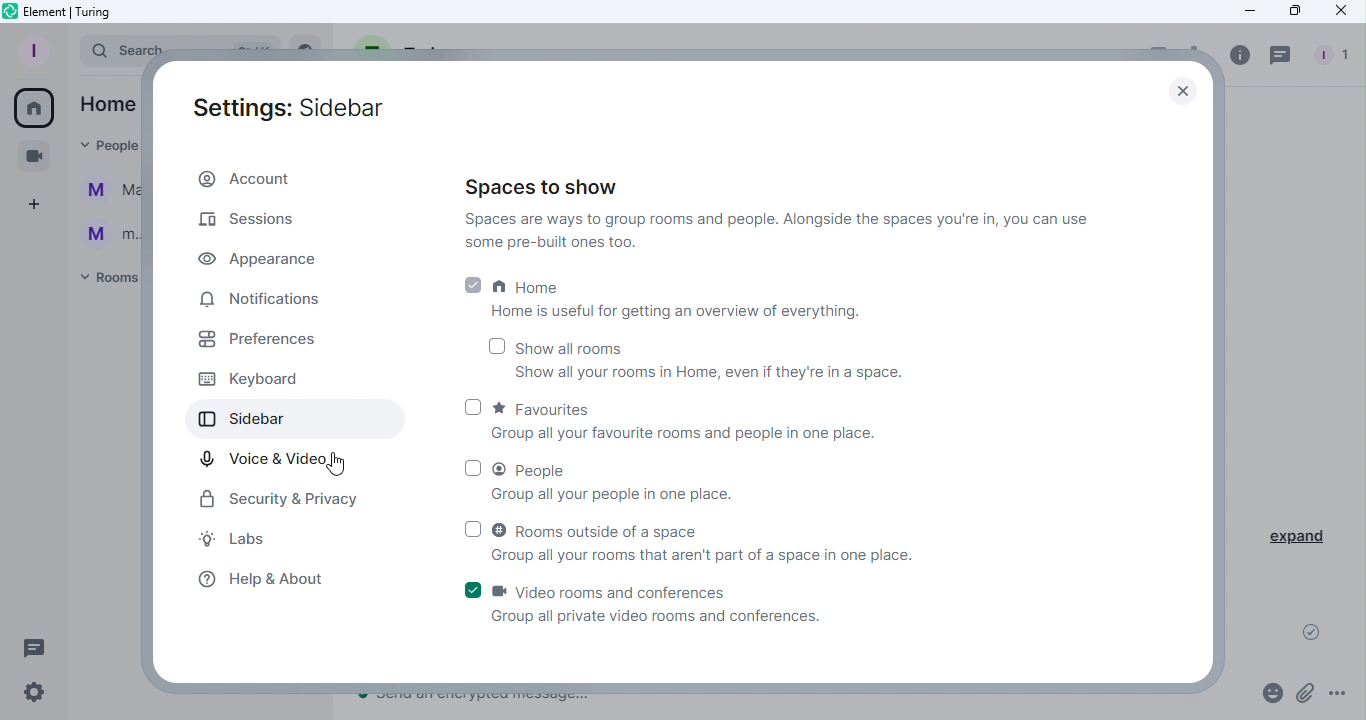  I want to click on Conferences, so click(32, 152).